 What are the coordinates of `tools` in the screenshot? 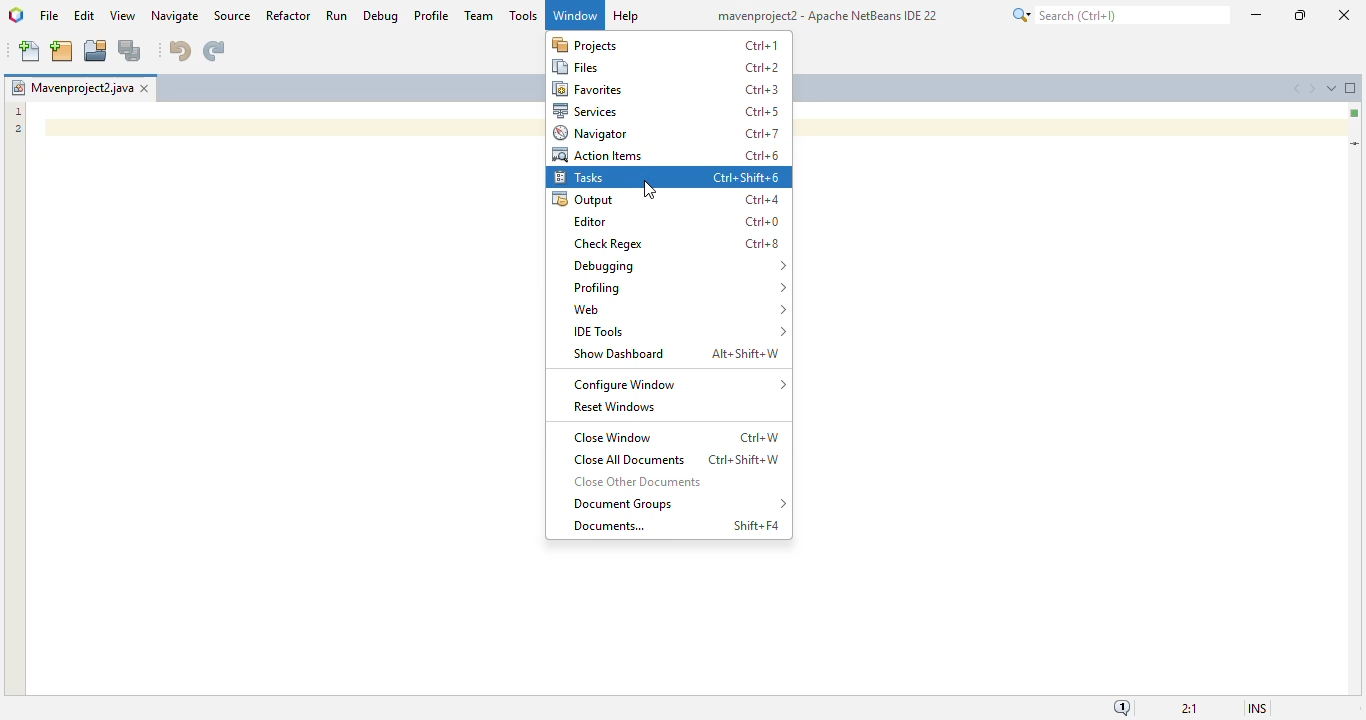 It's located at (523, 15).